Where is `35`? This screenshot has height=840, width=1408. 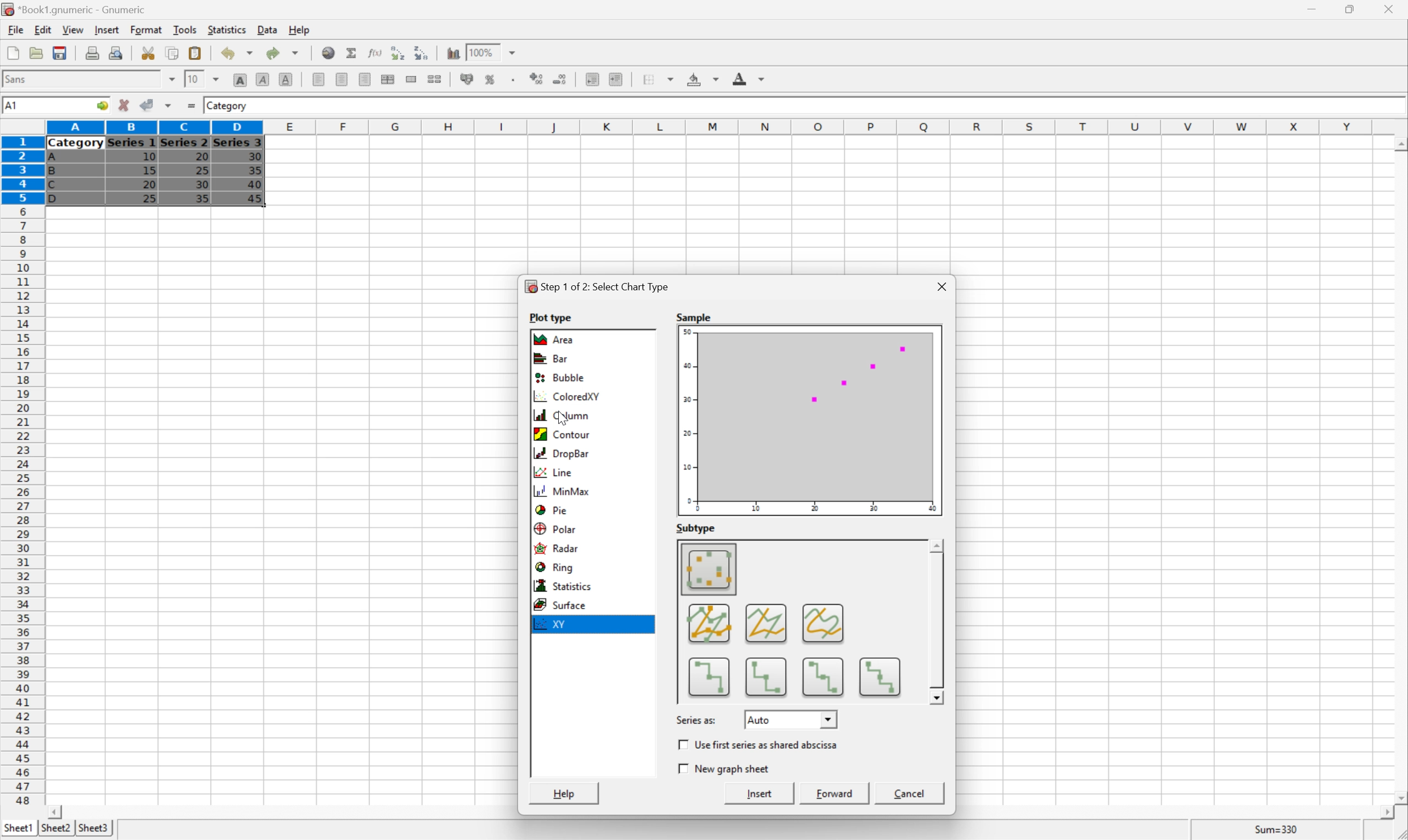 35 is located at coordinates (255, 170).